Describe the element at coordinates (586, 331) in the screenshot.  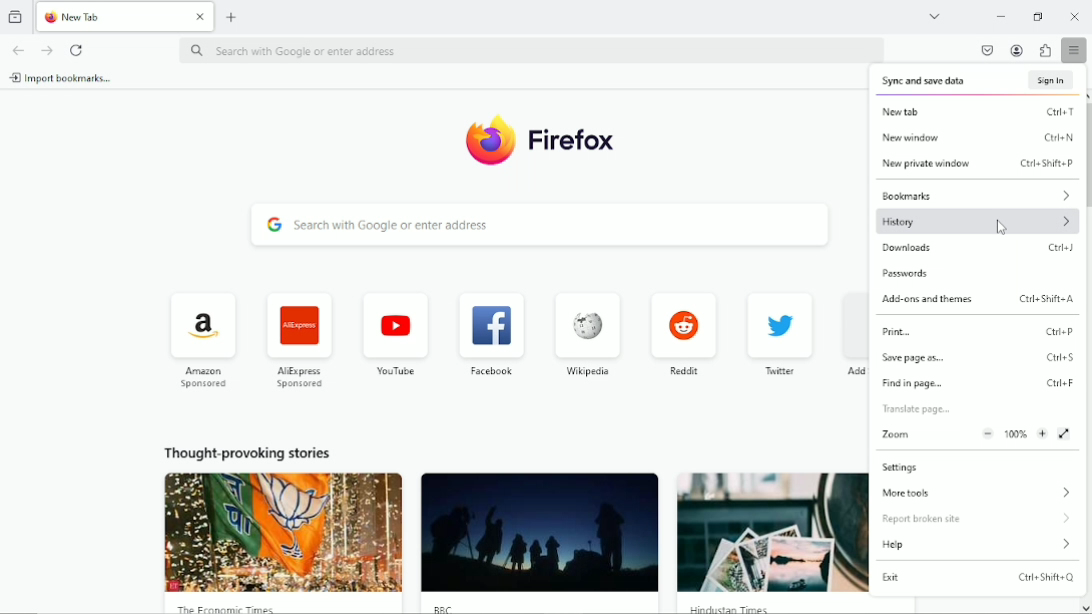
I see `Wikipedia` at that location.